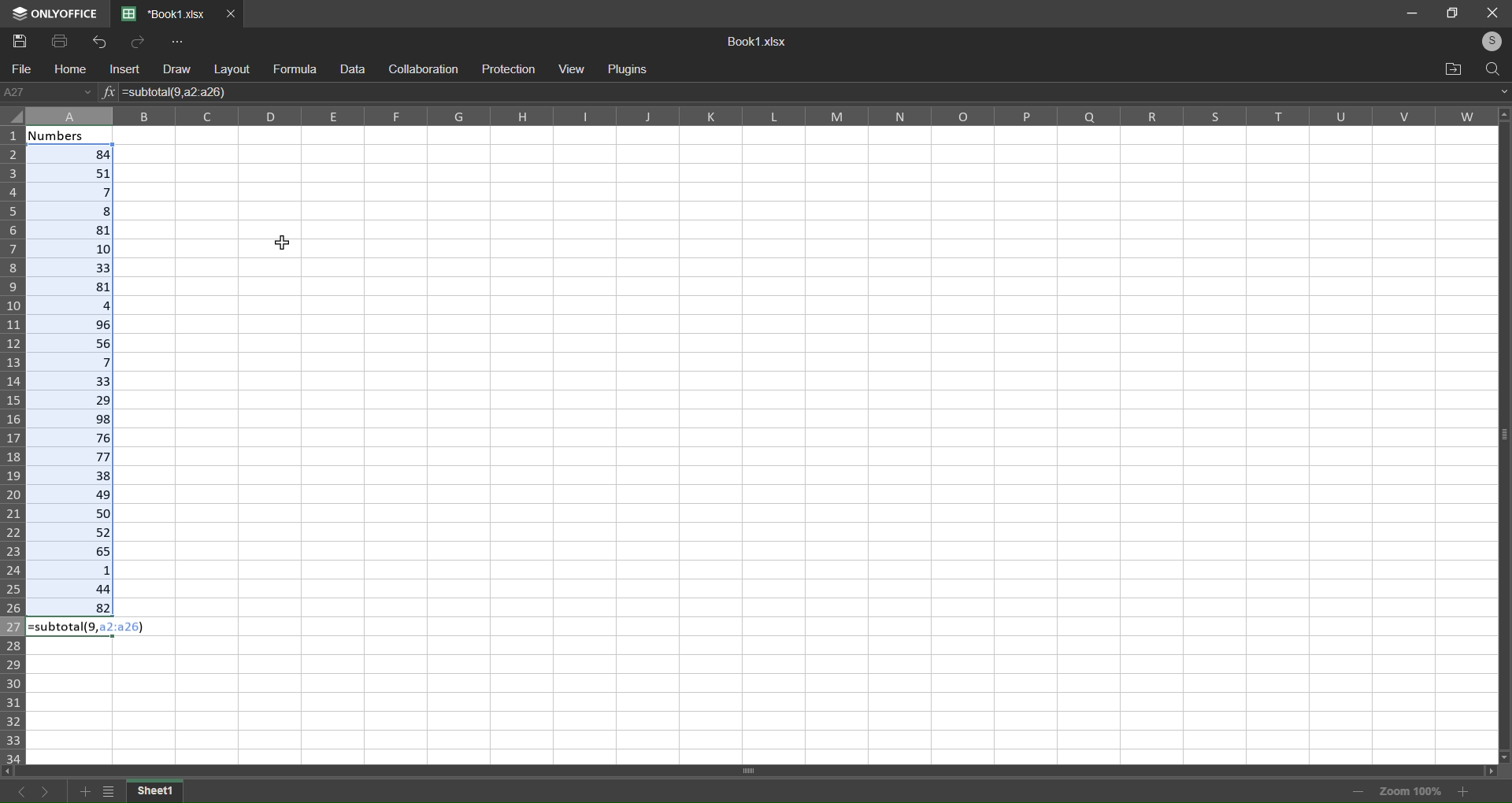 The width and height of the screenshot is (1512, 803). What do you see at coordinates (43, 790) in the screenshot?
I see `next` at bounding box center [43, 790].